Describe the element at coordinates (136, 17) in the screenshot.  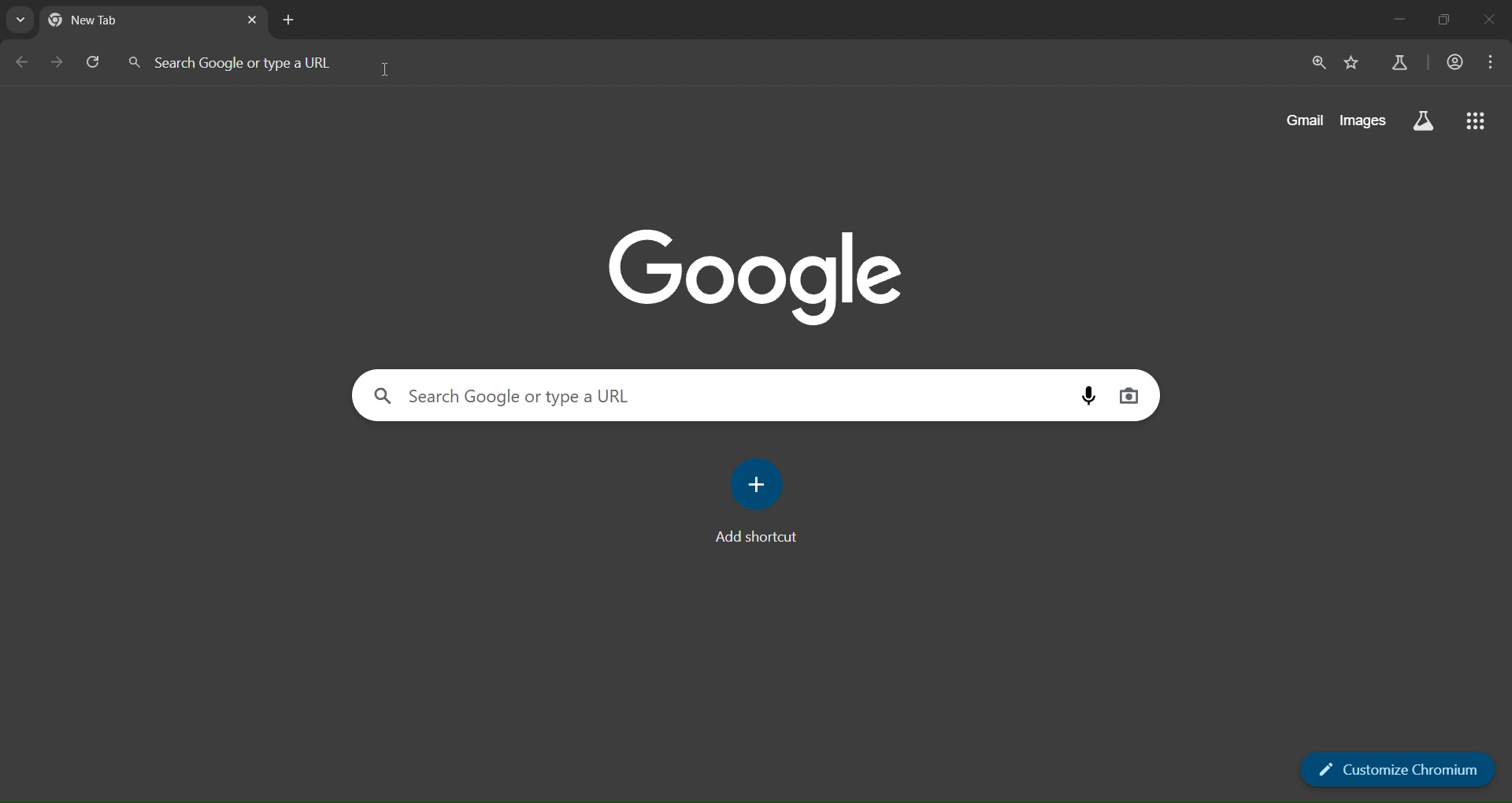
I see `new tab` at that location.